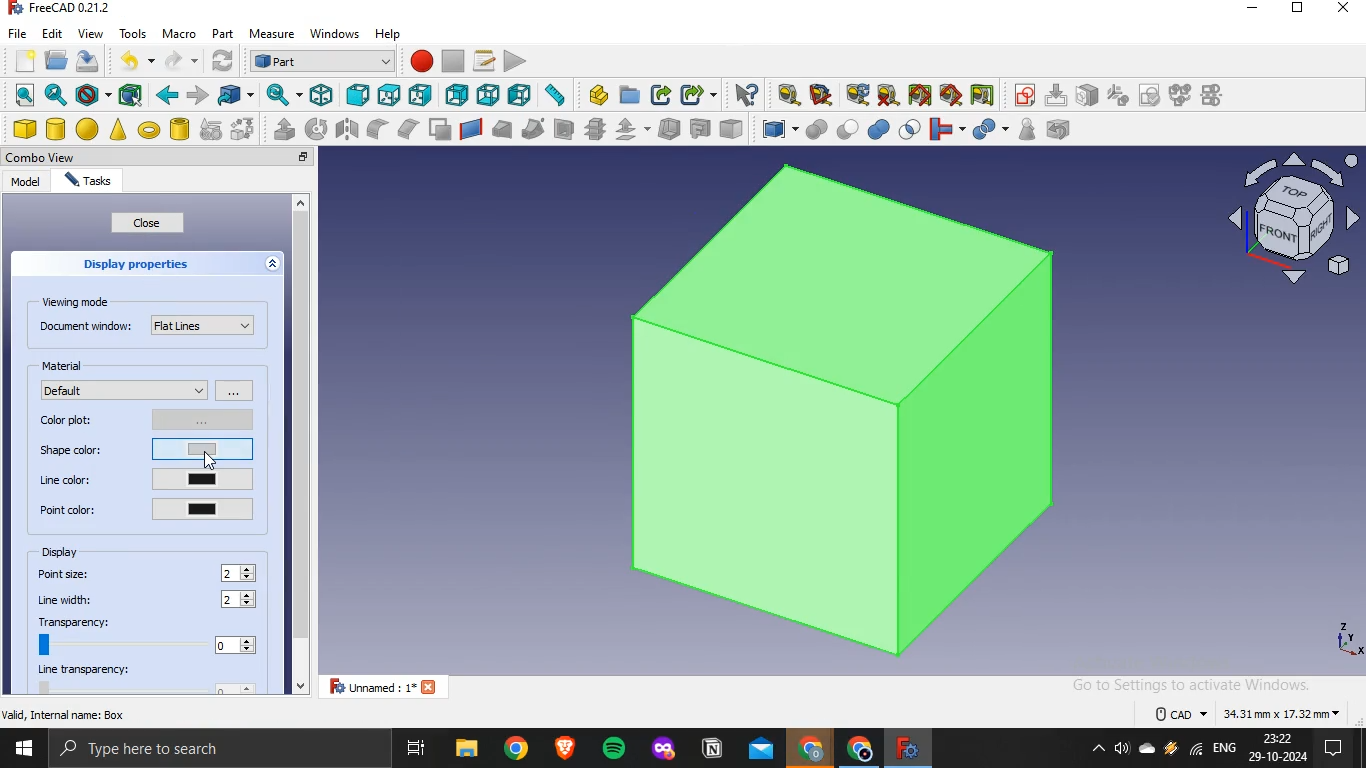 The width and height of the screenshot is (1366, 768). I want to click on measure, so click(272, 35).